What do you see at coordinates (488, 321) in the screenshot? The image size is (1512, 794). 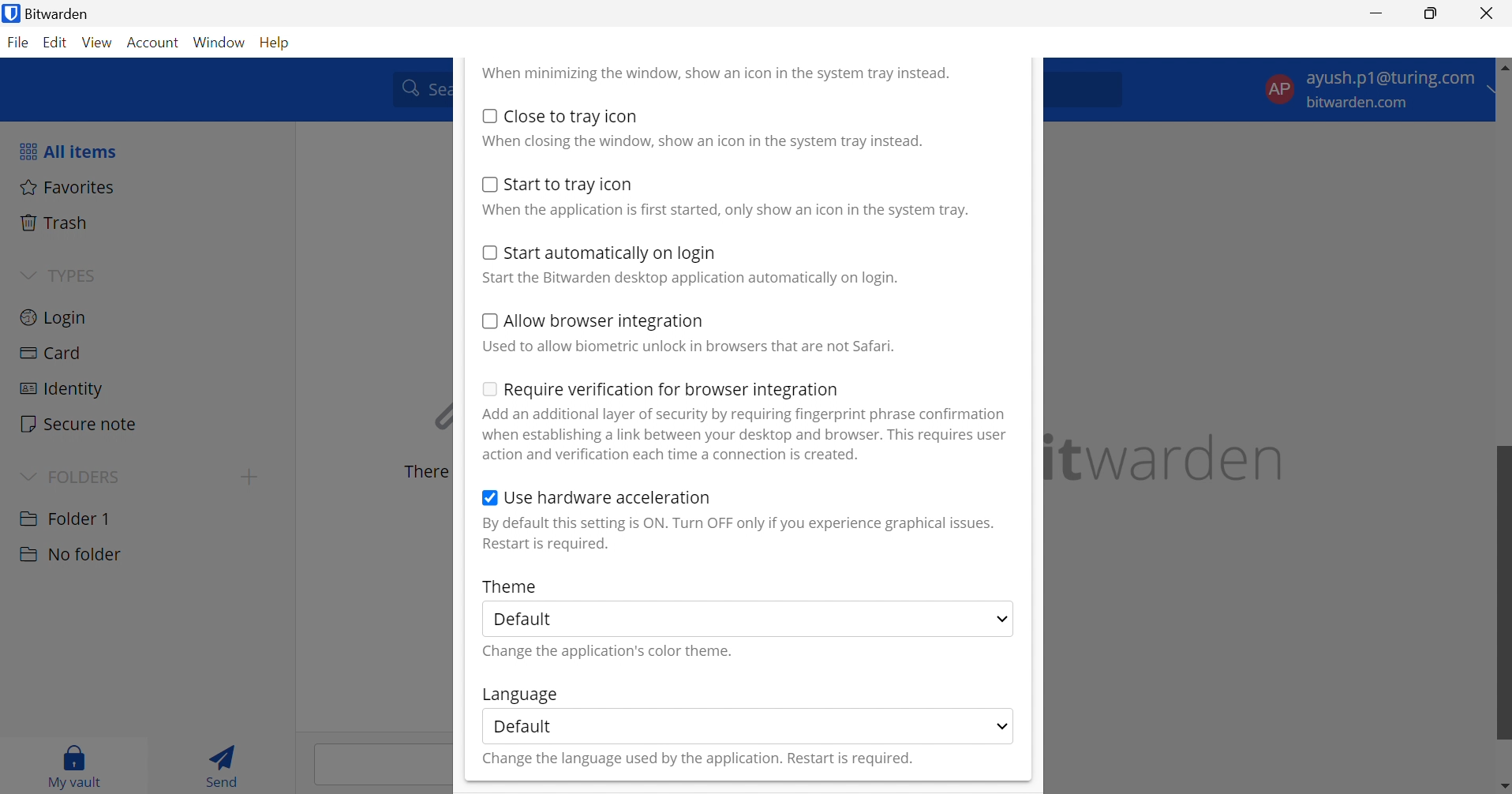 I see `Checkbox` at bounding box center [488, 321].